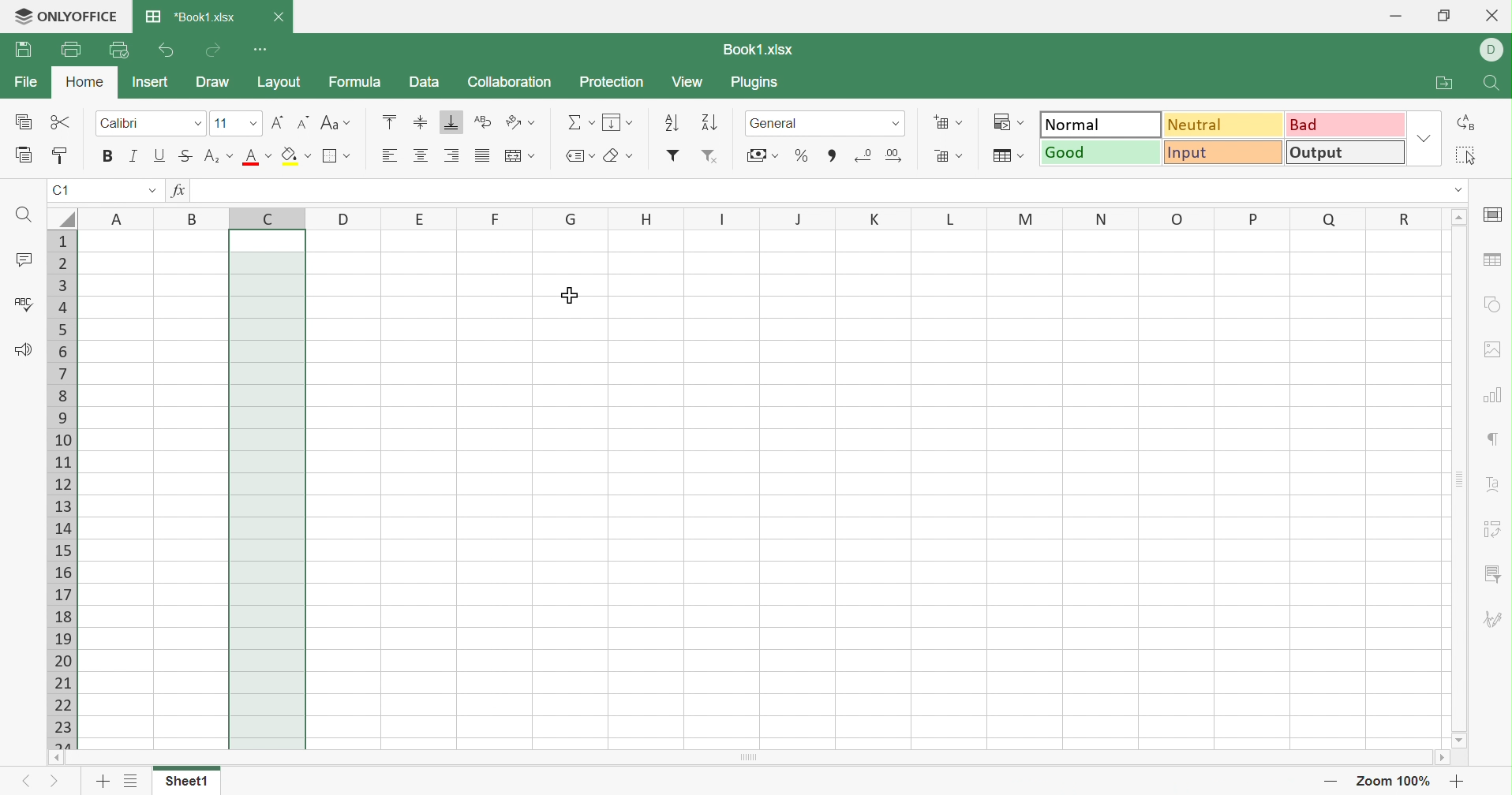 This screenshot has height=795, width=1512. What do you see at coordinates (1491, 528) in the screenshot?
I see `Pivot Table settings` at bounding box center [1491, 528].